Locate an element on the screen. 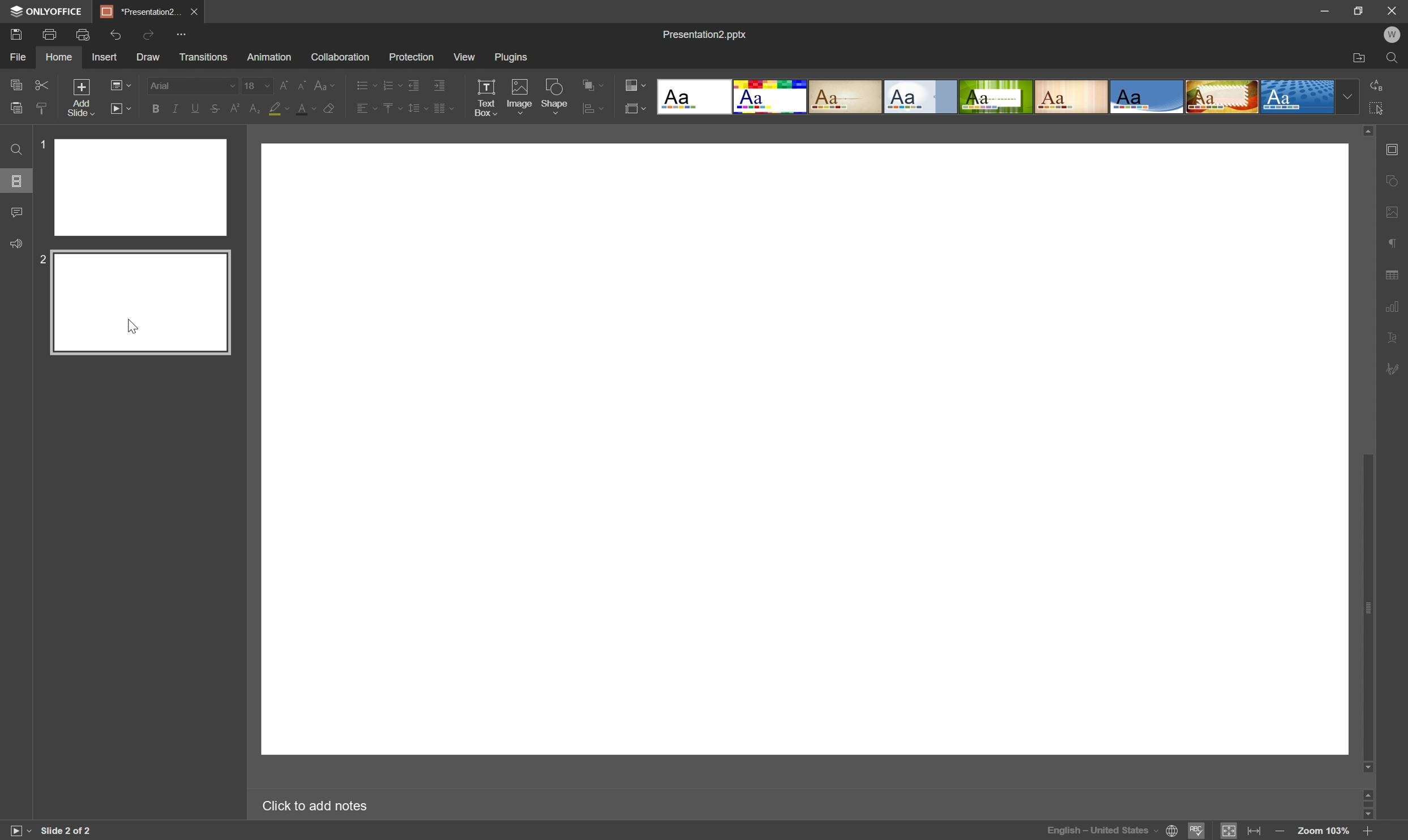 The width and height of the screenshot is (1408, 840). Slide 2 OF 2 is located at coordinates (67, 831).